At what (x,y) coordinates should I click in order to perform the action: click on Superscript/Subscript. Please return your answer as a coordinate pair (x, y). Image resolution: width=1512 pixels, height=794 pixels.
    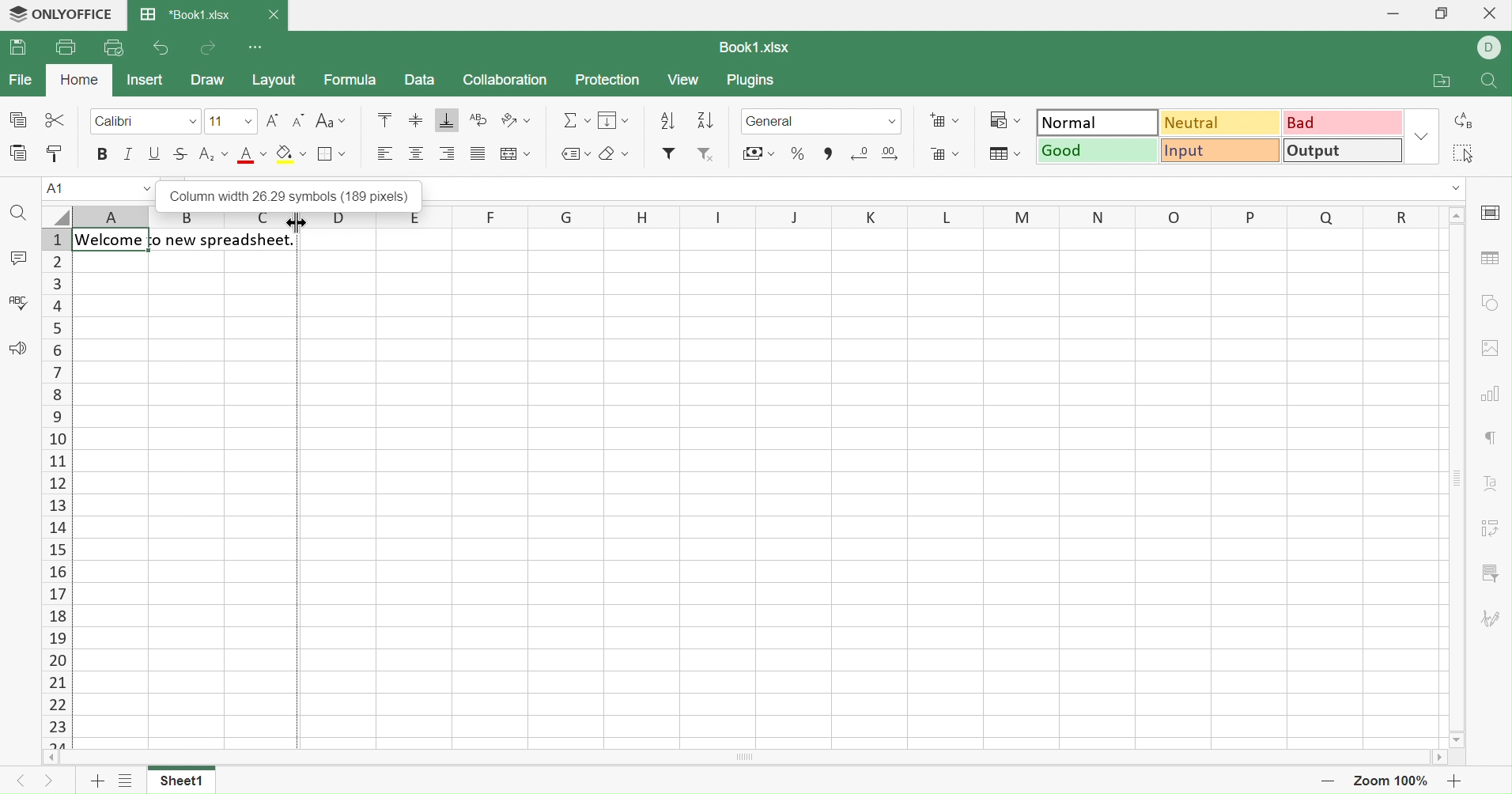
    Looking at the image, I should click on (214, 153).